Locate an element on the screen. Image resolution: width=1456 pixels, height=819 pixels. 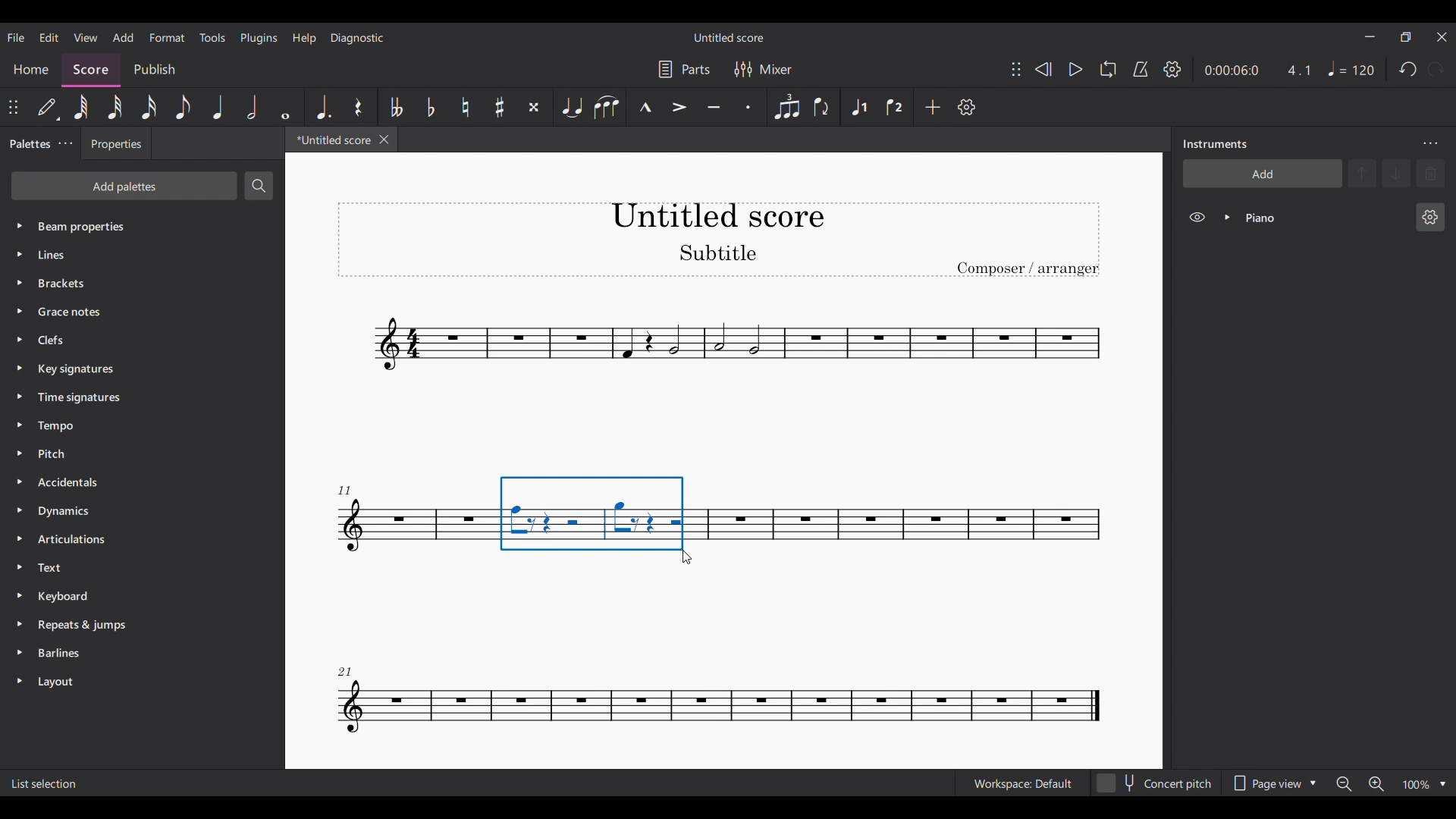
Rewind is located at coordinates (1043, 69).